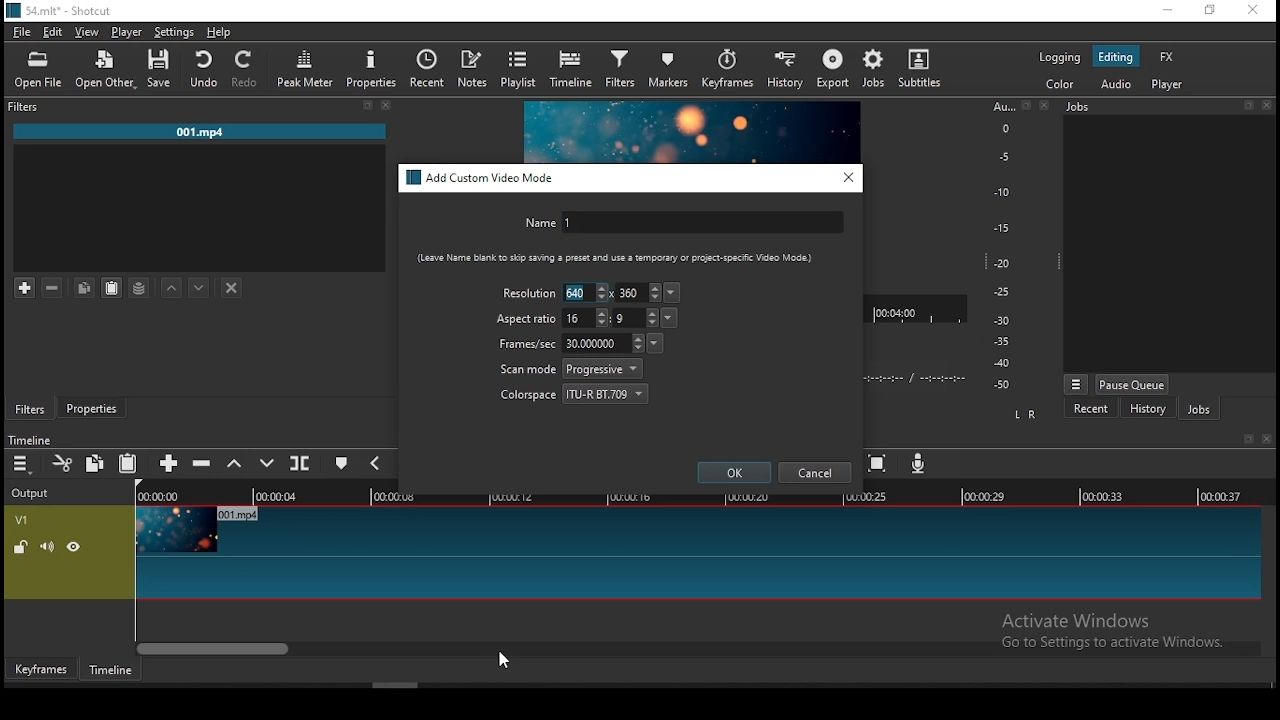 This screenshot has height=720, width=1280. Describe the element at coordinates (998, 342) in the screenshot. I see `-35` at that location.